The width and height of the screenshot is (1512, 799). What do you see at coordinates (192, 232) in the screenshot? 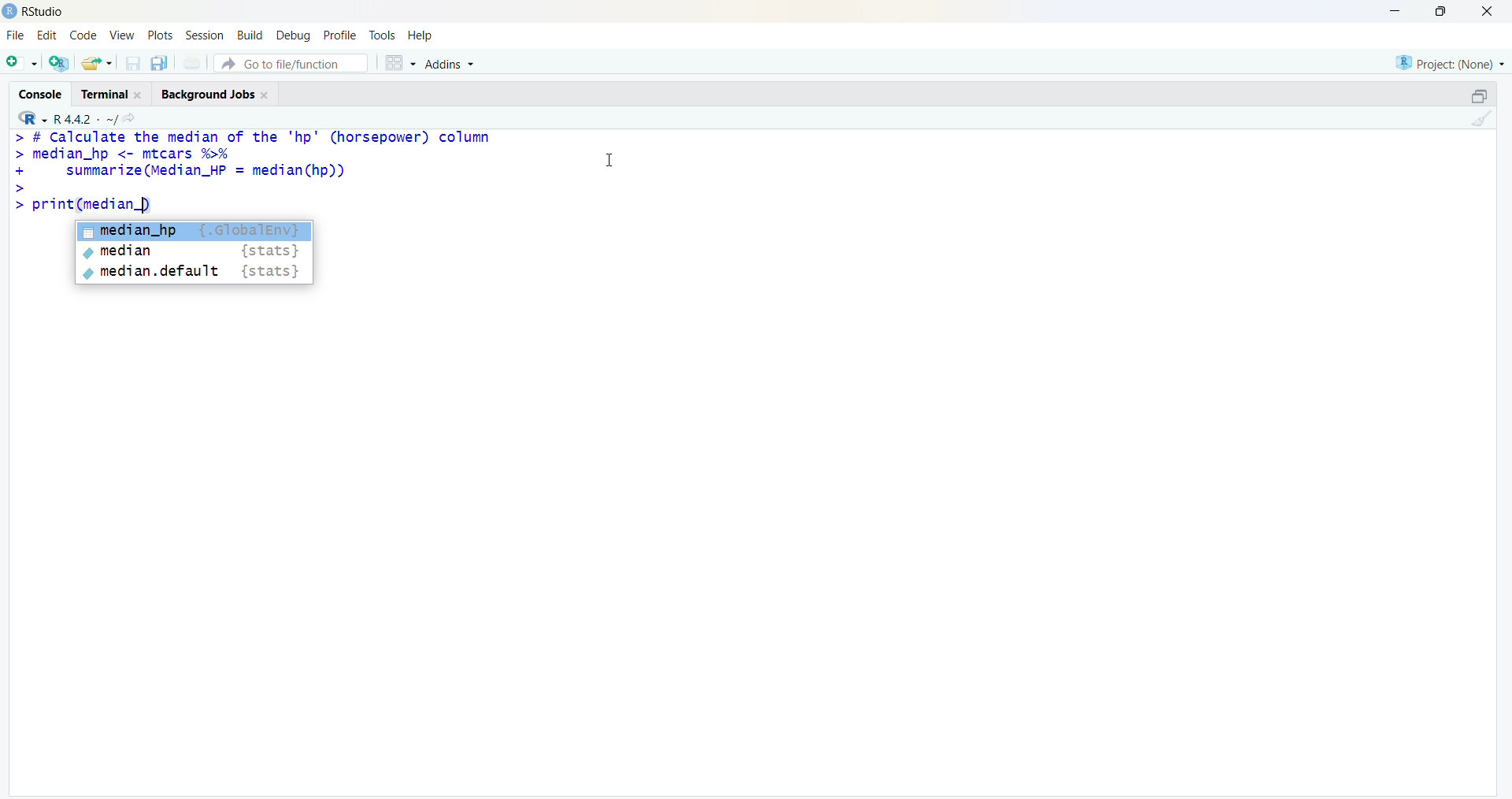
I see `median_hp` at bounding box center [192, 232].